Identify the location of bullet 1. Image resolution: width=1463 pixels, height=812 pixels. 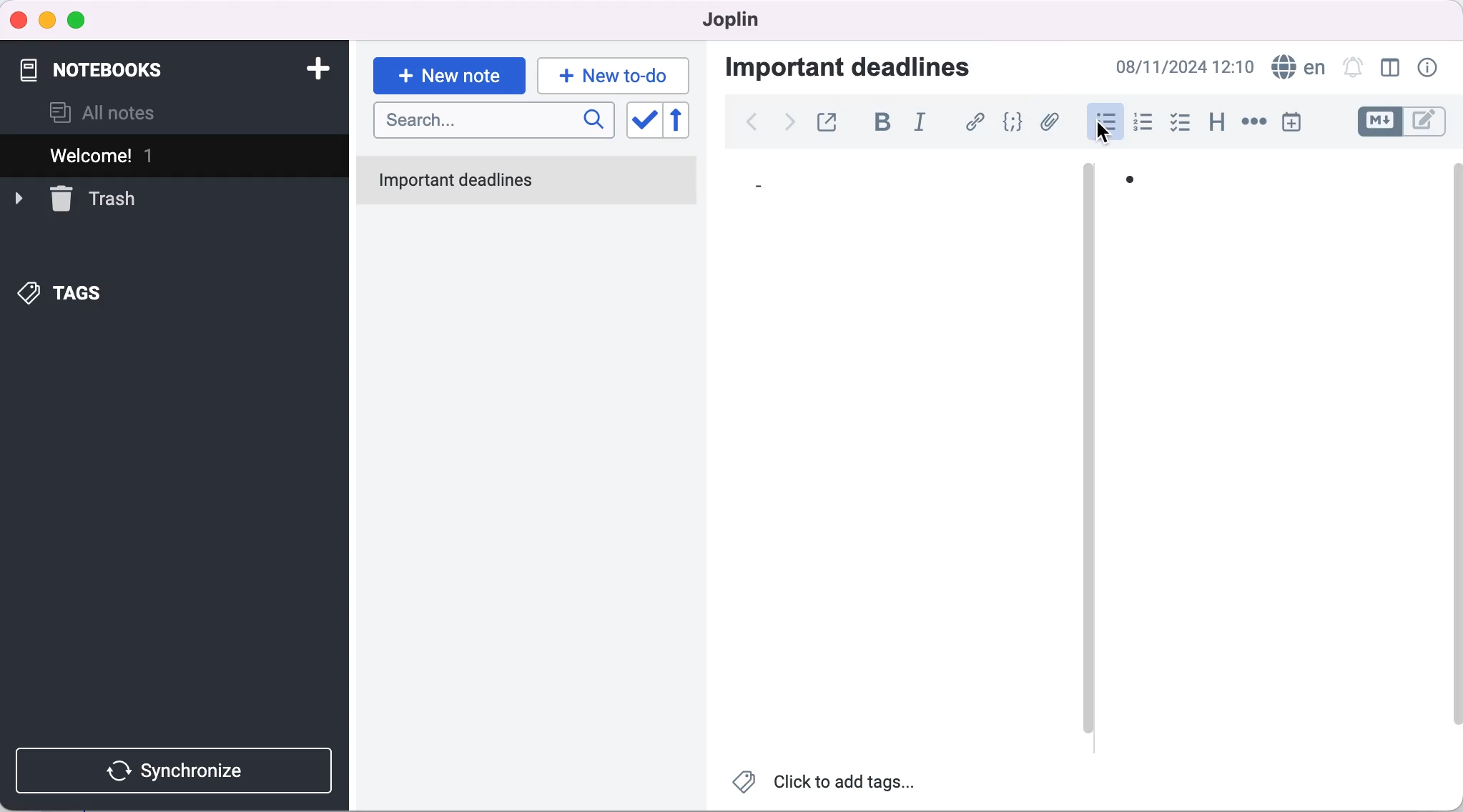
(1138, 187).